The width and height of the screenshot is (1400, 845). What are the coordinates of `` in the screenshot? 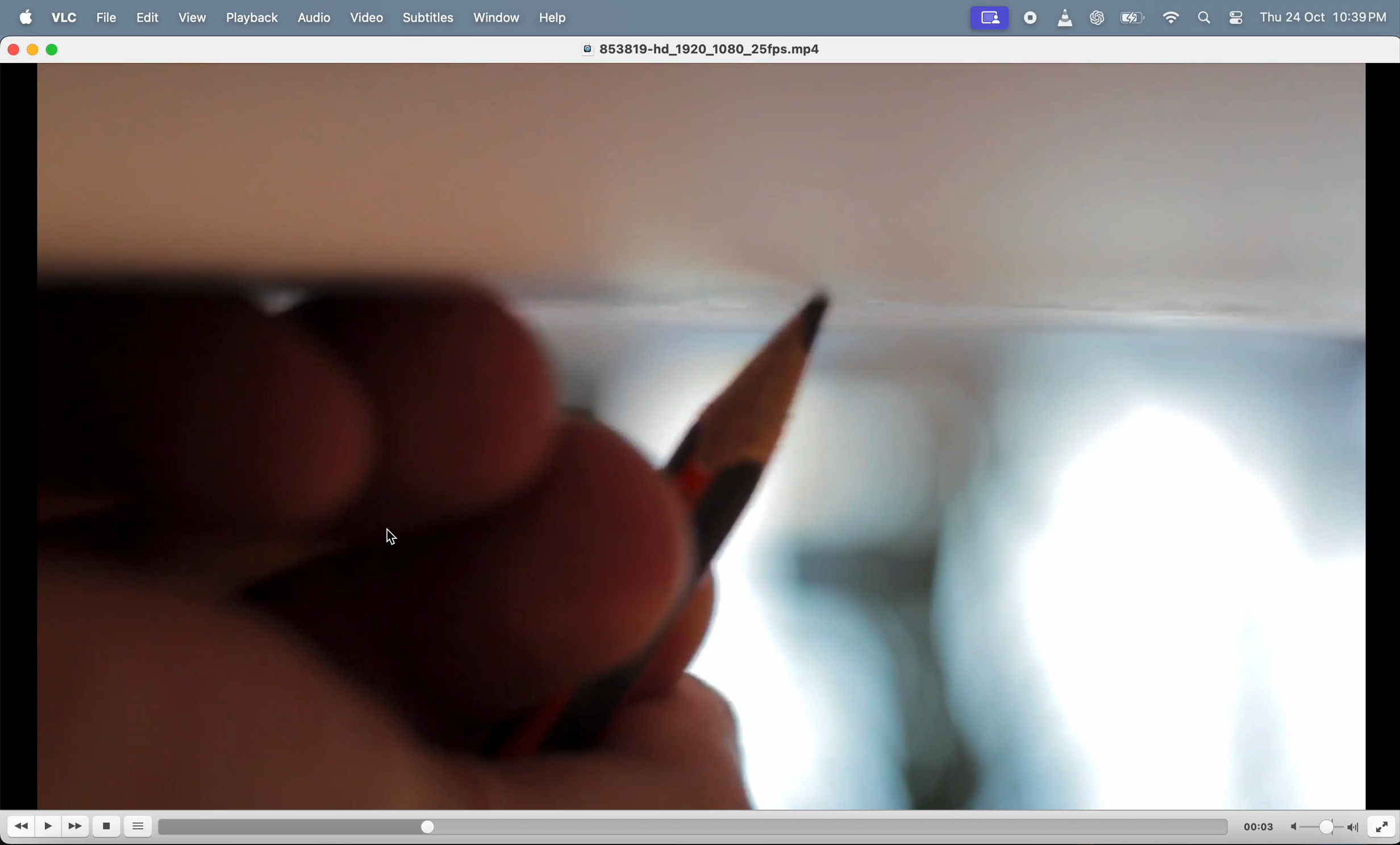 It's located at (497, 18).